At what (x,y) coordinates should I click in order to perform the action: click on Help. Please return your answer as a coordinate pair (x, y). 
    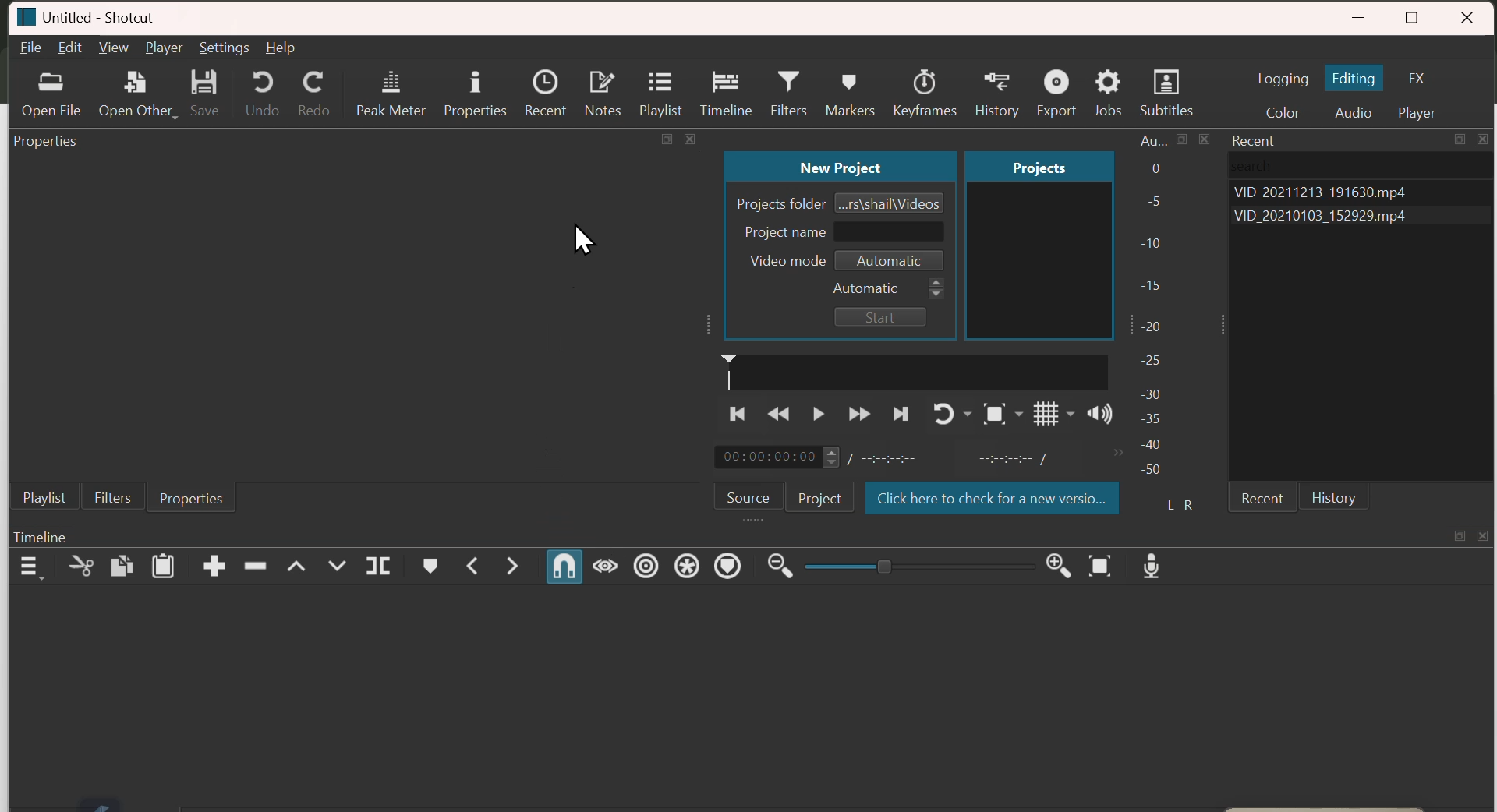
    Looking at the image, I should click on (280, 48).